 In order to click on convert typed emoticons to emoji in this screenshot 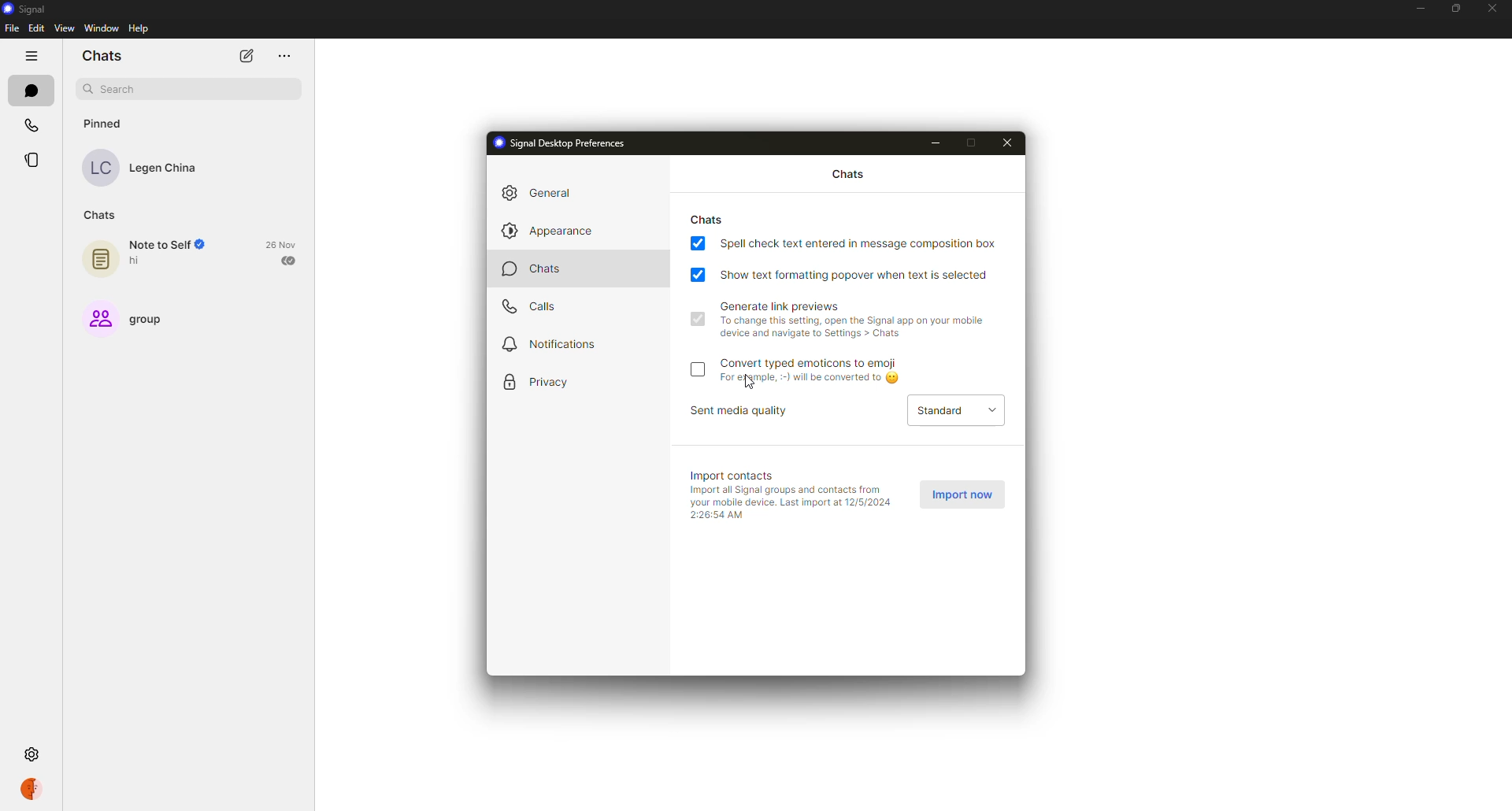, I will do `click(814, 372)`.